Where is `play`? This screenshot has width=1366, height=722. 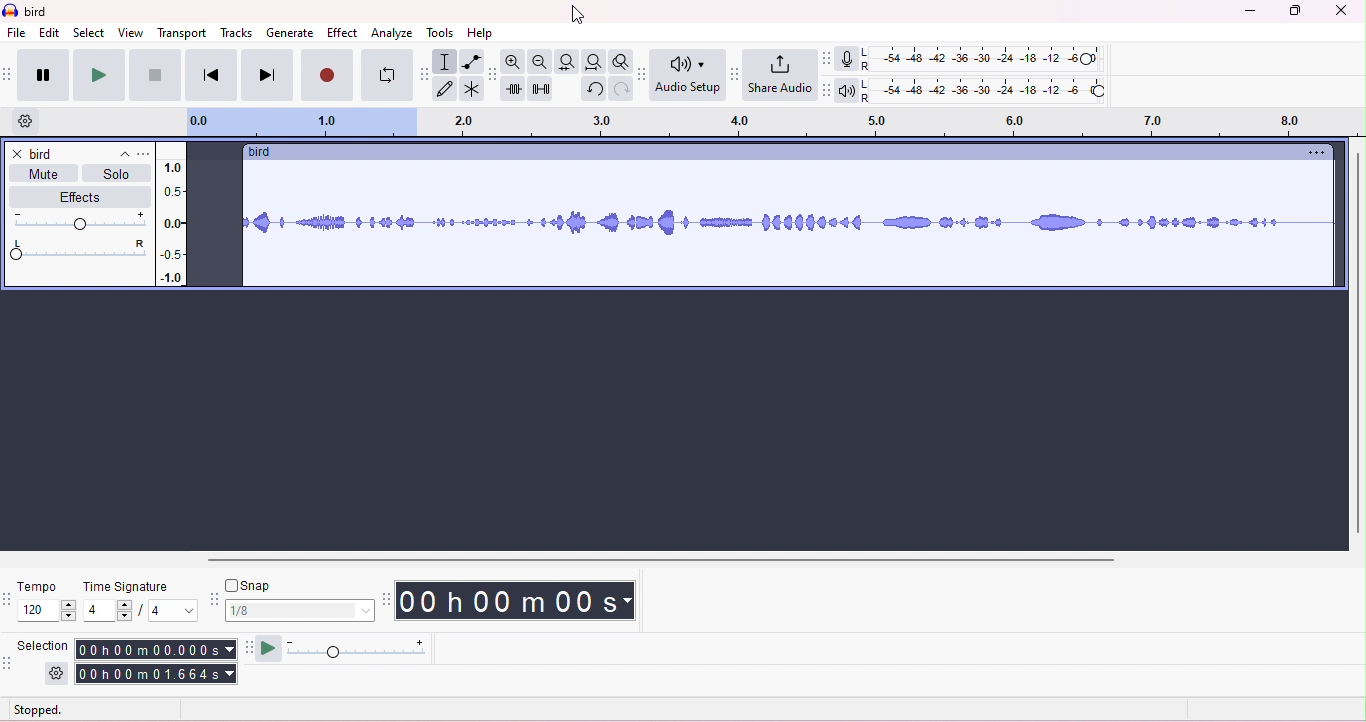 play is located at coordinates (98, 75).